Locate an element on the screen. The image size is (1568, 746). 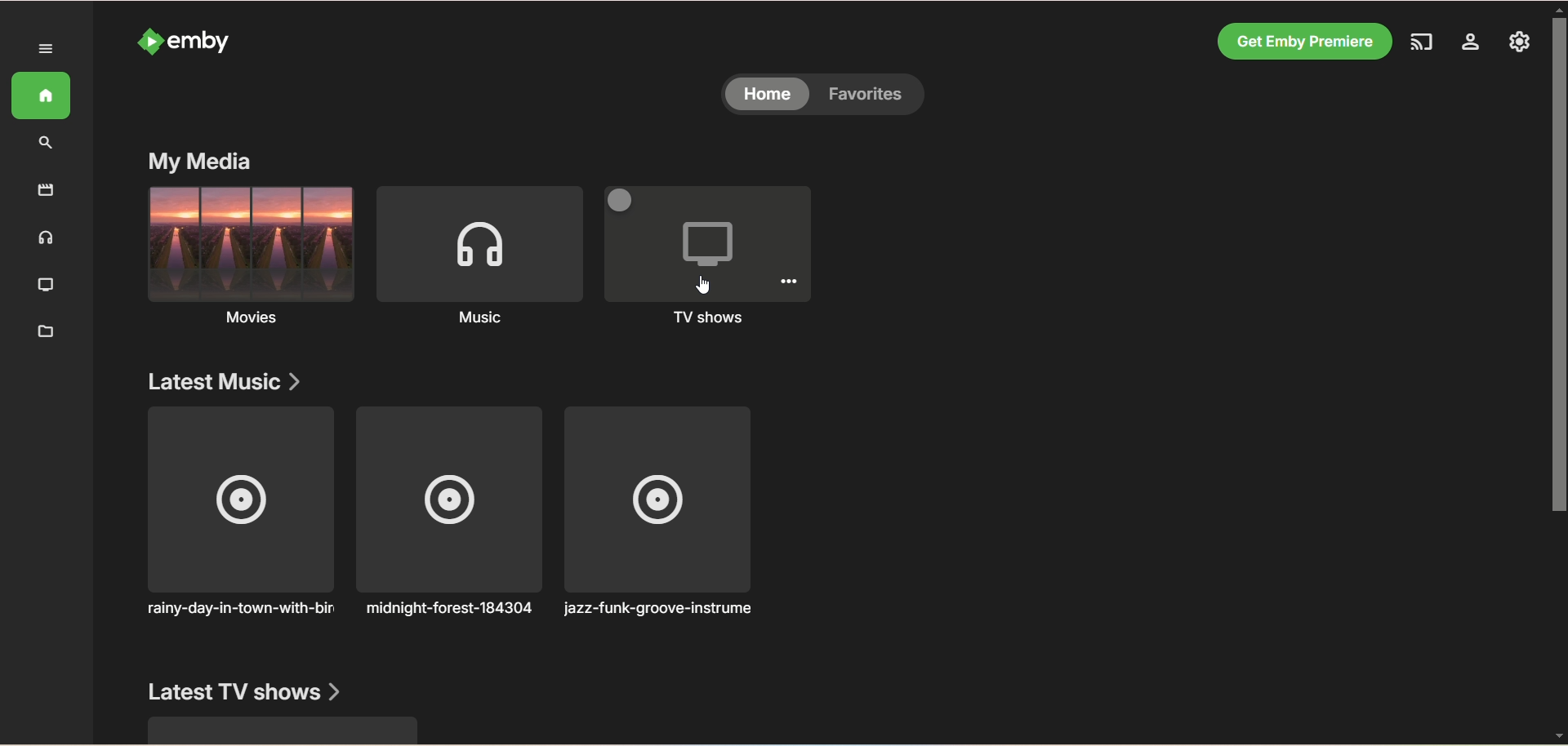
settings is located at coordinates (1472, 45).